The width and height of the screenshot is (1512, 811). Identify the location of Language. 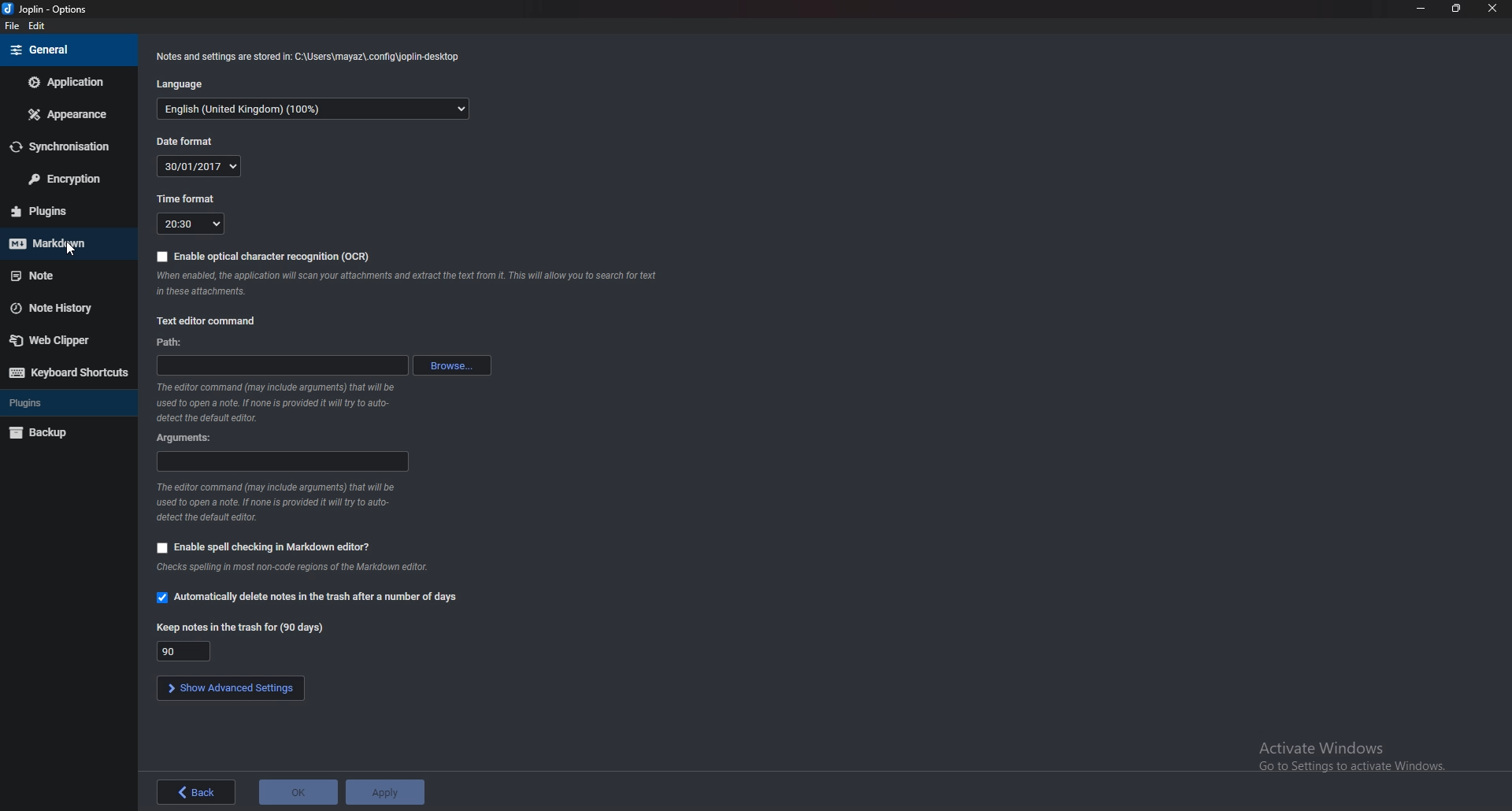
(313, 110).